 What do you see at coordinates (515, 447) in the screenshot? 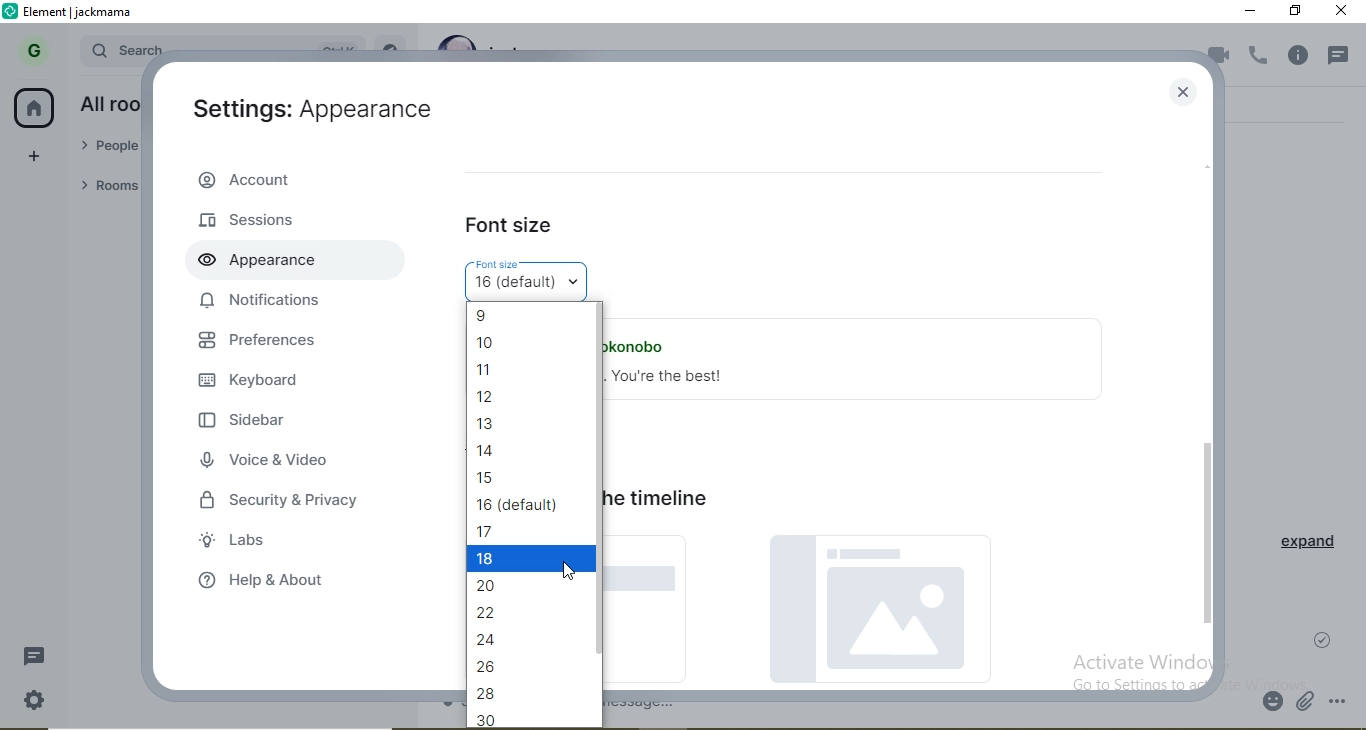
I see `14` at bounding box center [515, 447].